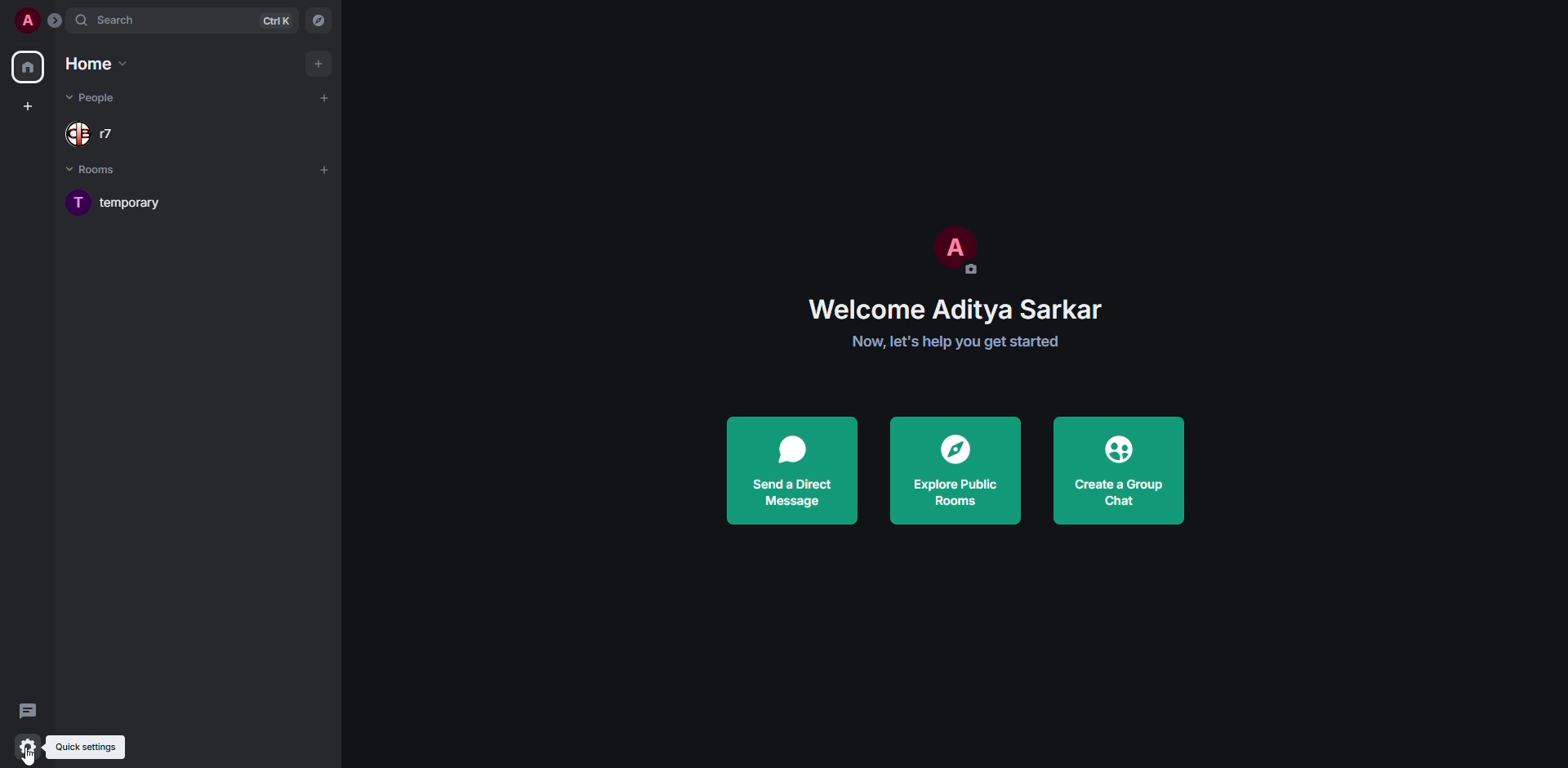 This screenshot has height=768, width=1568. Describe the element at coordinates (275, 20) in the screenshot. I see `ctrl K` at that location.